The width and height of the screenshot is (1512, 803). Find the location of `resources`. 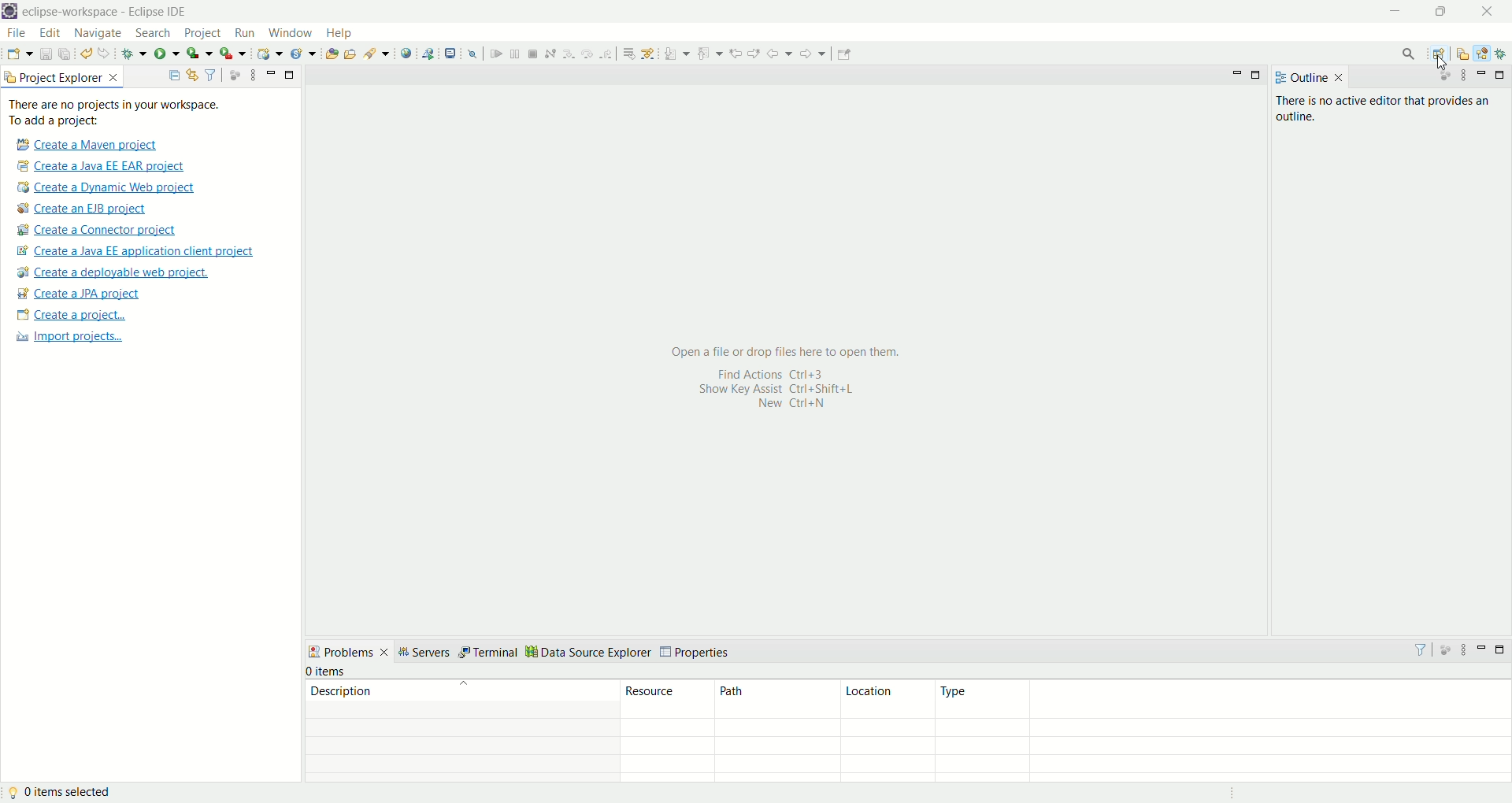

resources is located at coordinates (1464, 55).